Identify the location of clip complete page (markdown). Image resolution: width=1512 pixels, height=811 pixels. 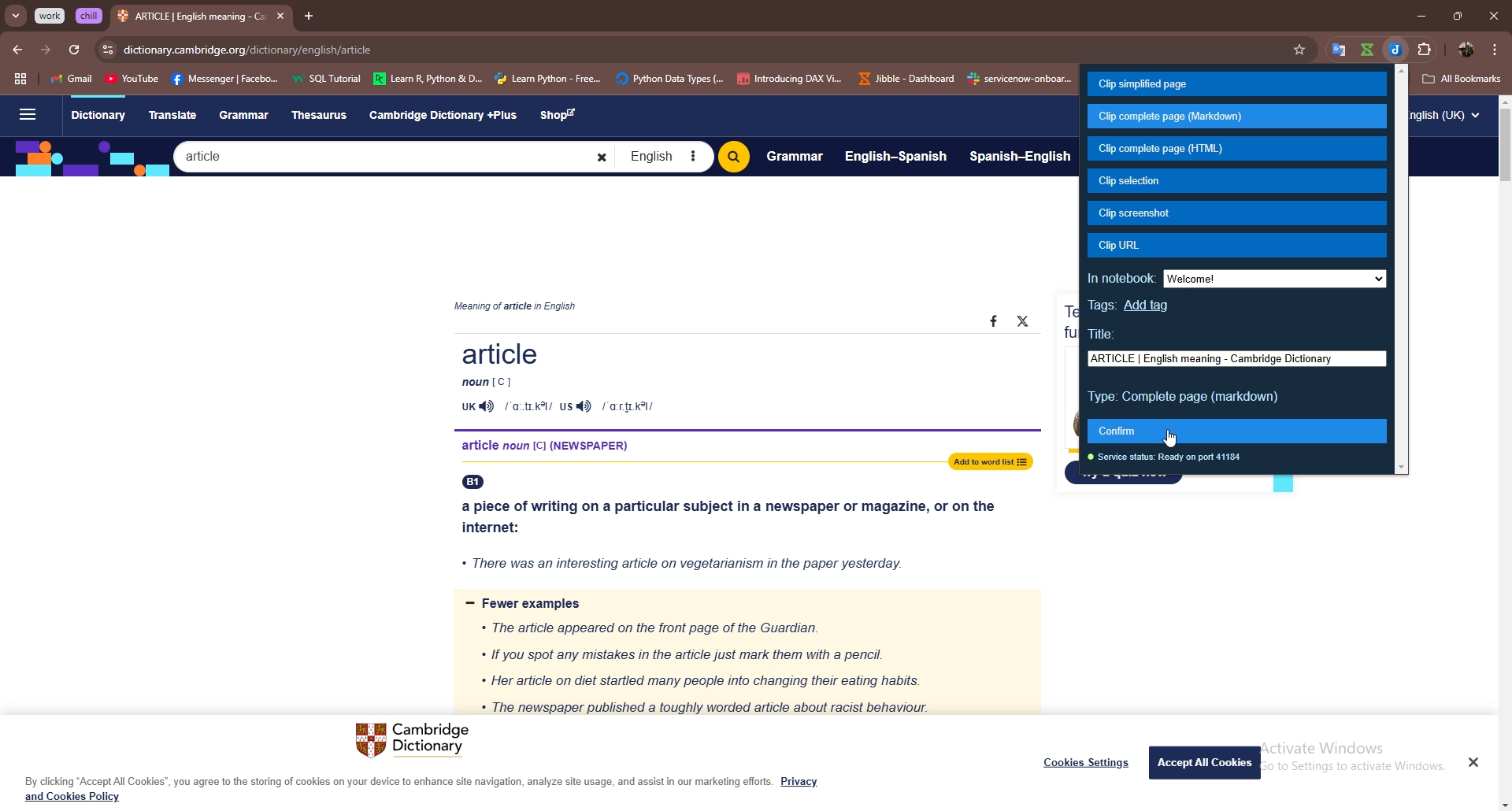
(1236, 117).